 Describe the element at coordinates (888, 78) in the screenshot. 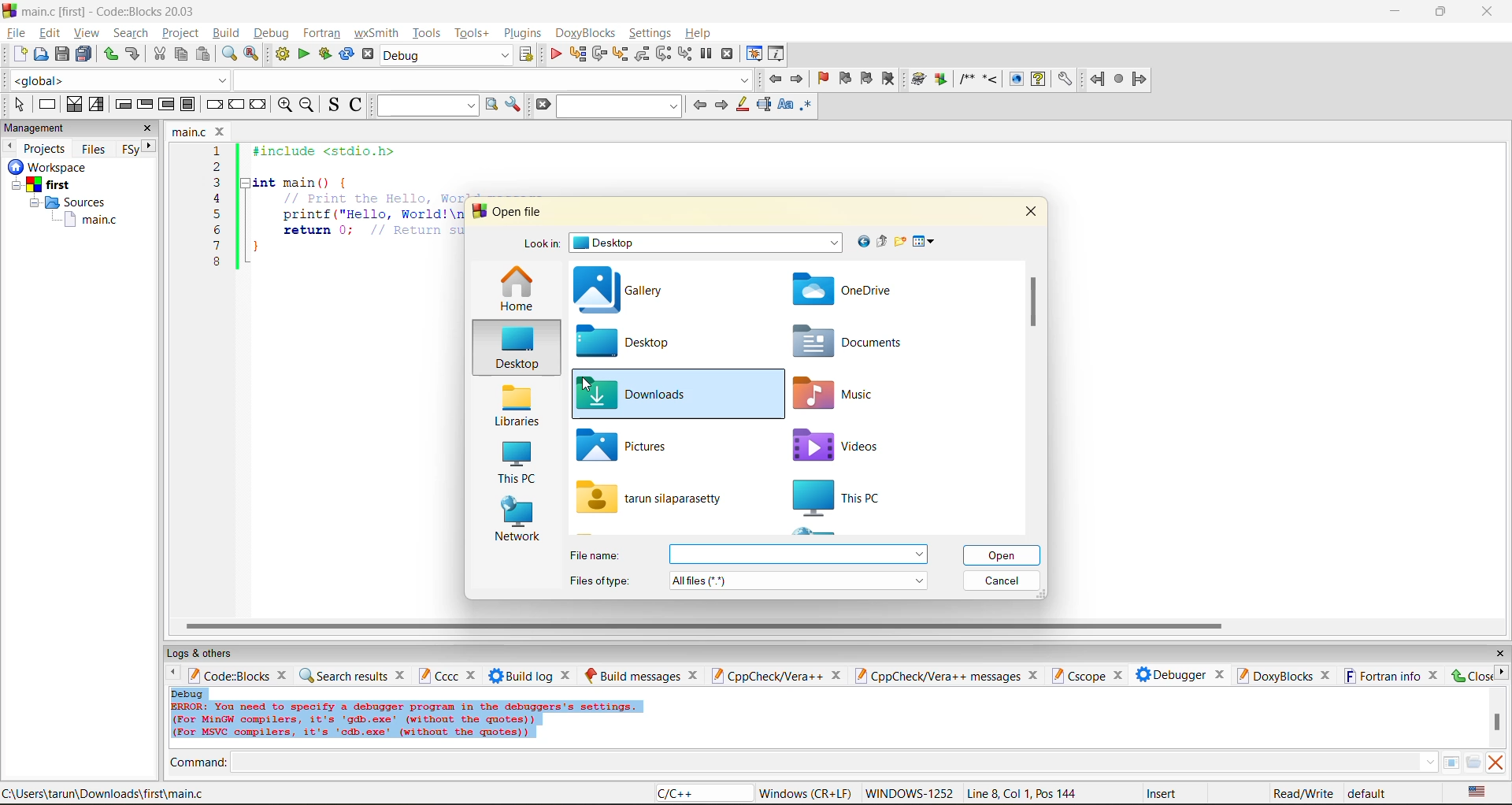

I see `clear bookmark` at that location.